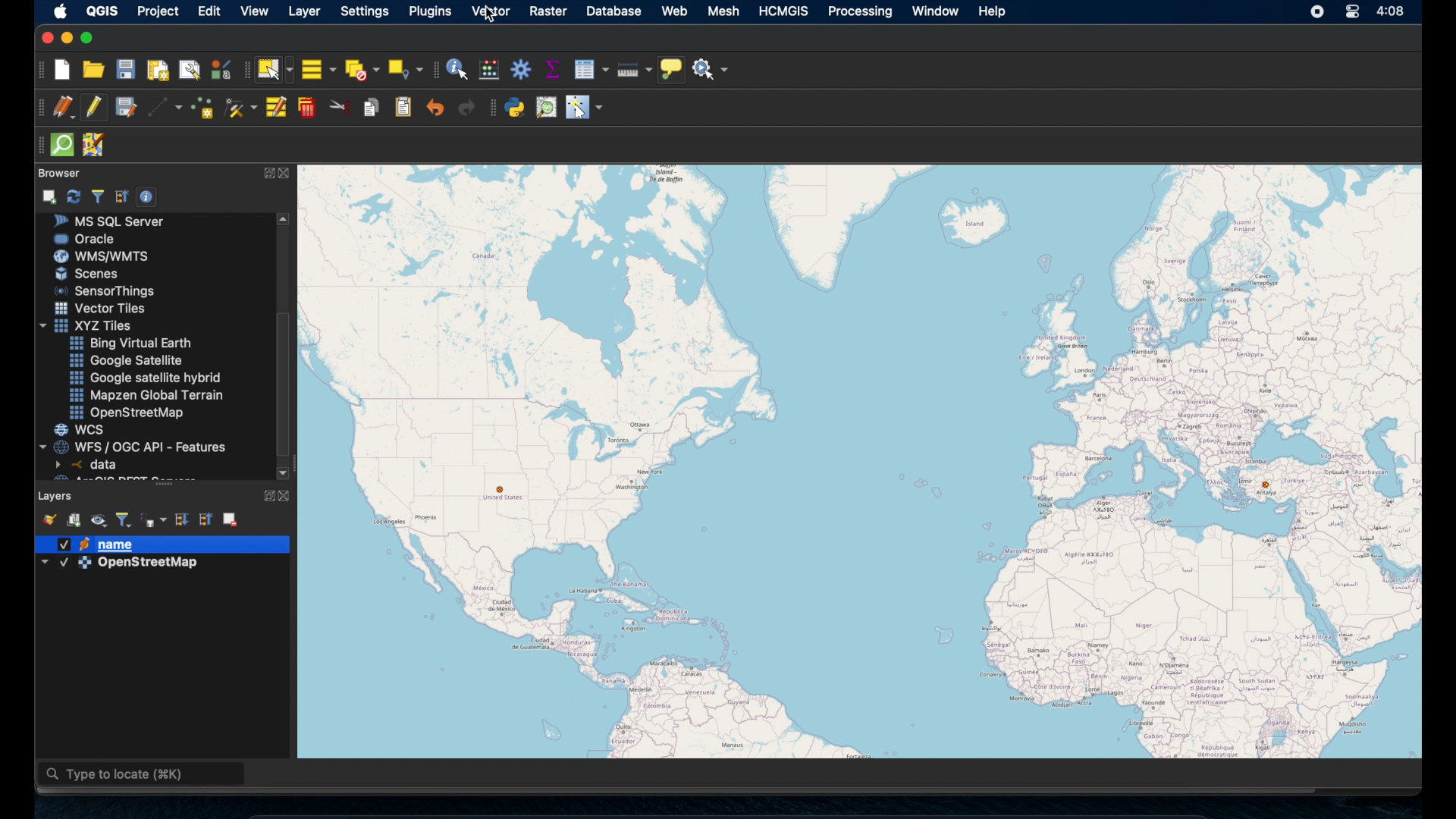 The width and height of the screenshot is (1456, 819). I want to click on filter legend, so click(124, 518).